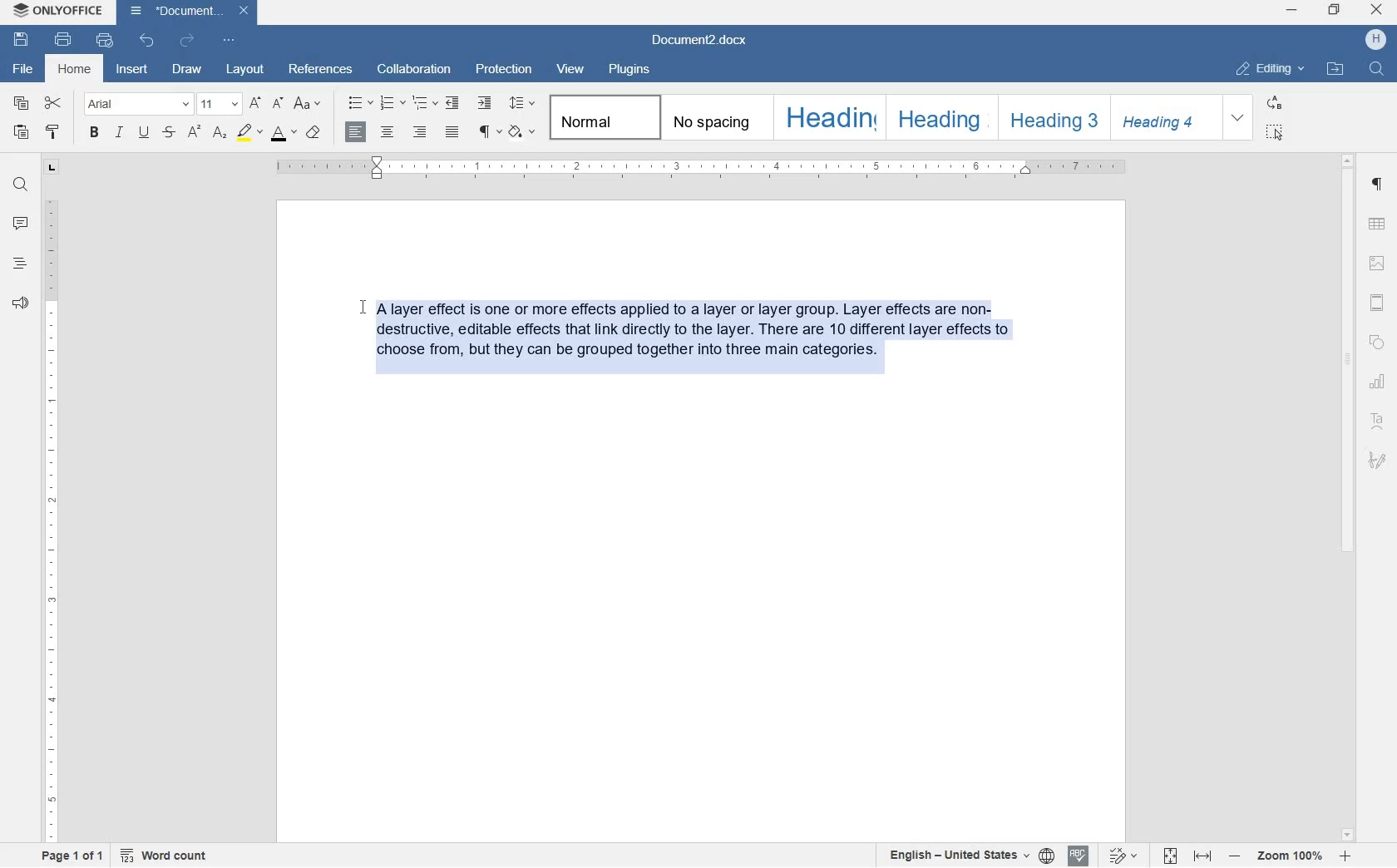  Describe the element at coordinates (230, 42) in the screenshot. I see `customize quick access toolbar` at that location.